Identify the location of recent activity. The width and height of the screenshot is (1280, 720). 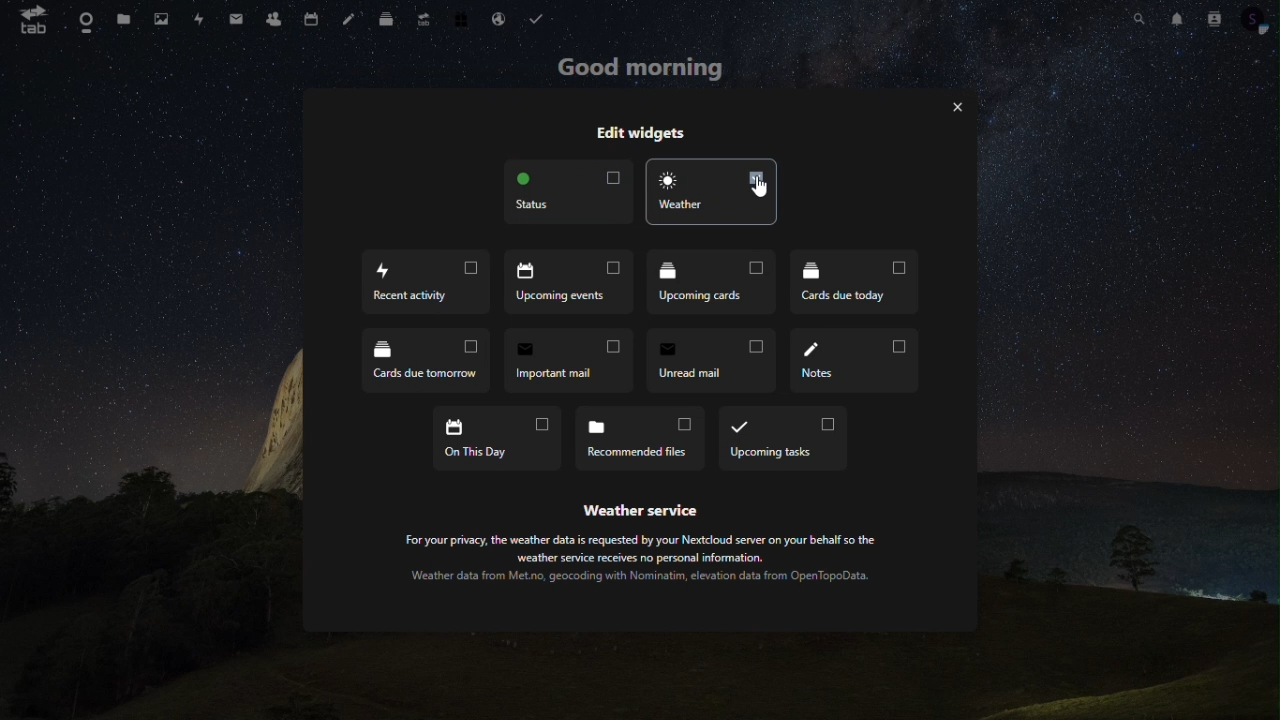
(426, 279).